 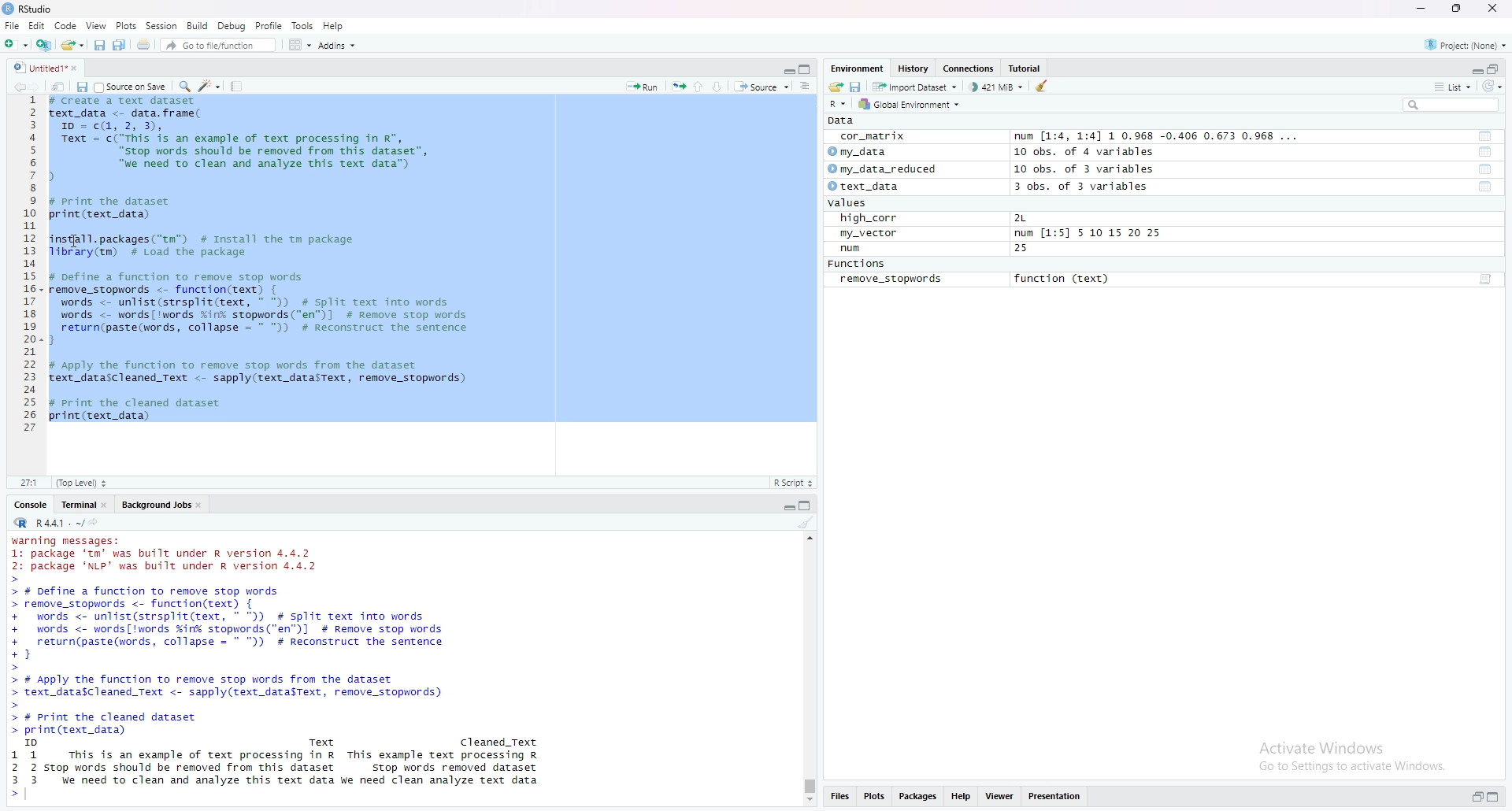 What do you see at coordinates (30, 483) in the screenshot?
I see `12:1` at bounding box center [30, 483].